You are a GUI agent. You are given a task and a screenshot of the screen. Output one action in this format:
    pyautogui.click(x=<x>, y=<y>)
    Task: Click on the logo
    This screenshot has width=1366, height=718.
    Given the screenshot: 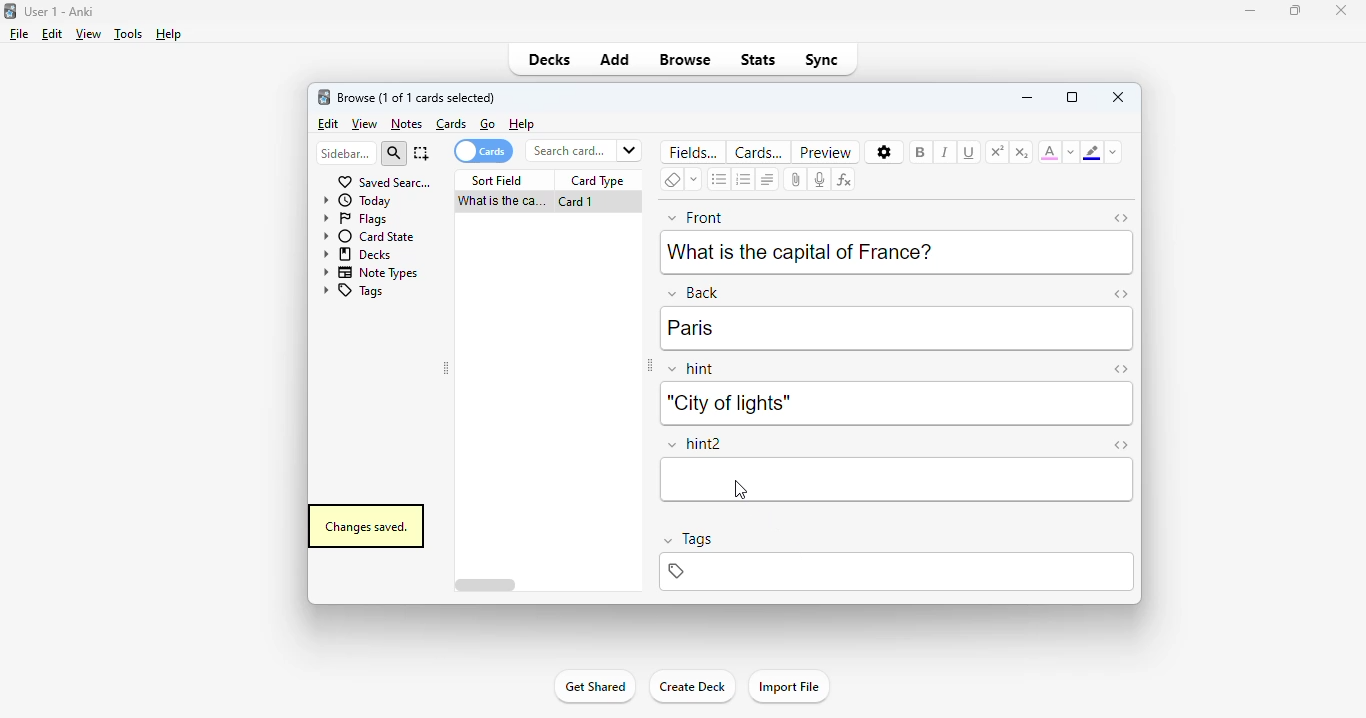 What is the action you would take?
    pyautogui.click(x=323, y=96)
    